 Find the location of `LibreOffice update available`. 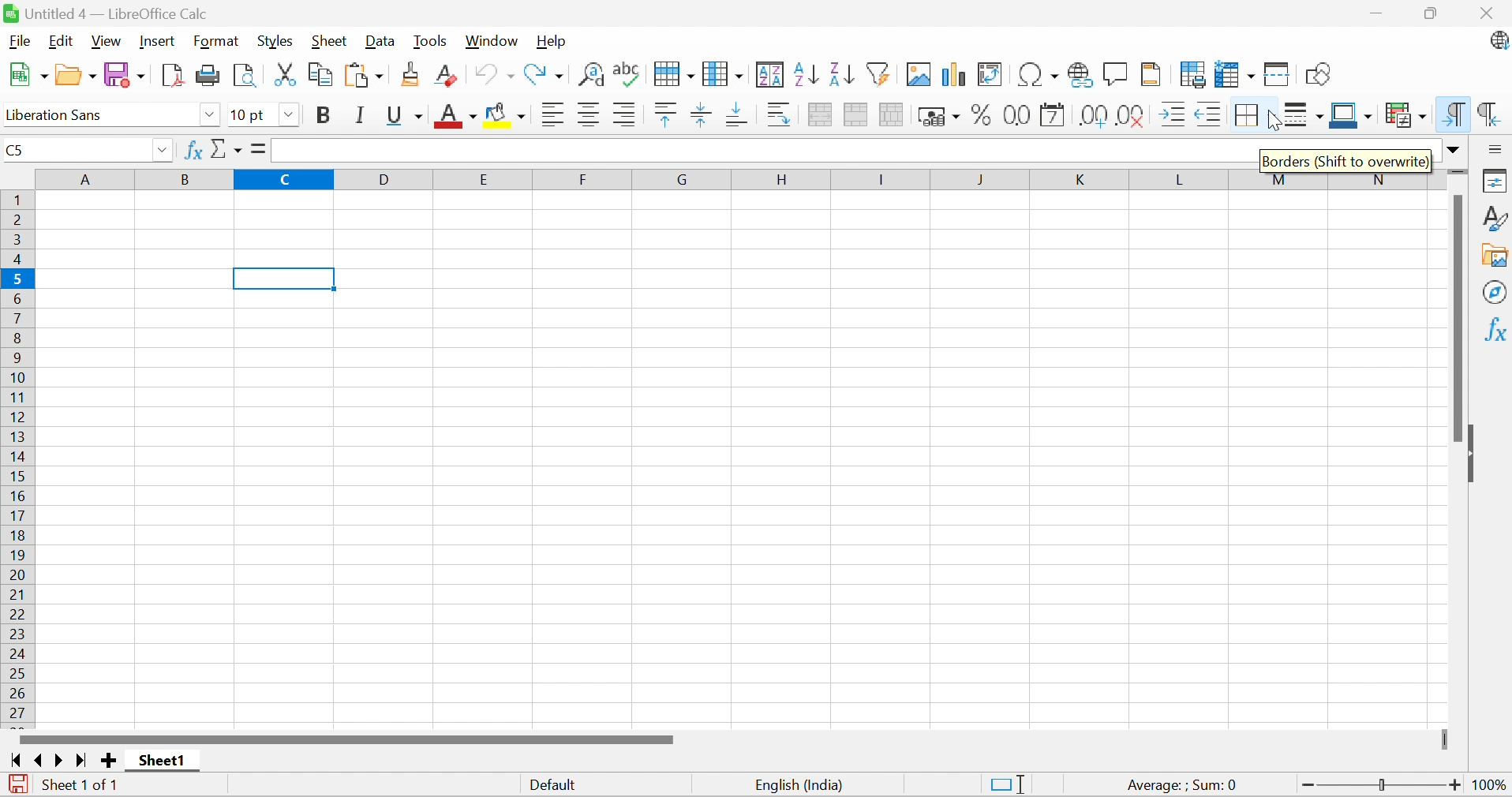

LibreOffice update available is located at coordinates (1499, 43).